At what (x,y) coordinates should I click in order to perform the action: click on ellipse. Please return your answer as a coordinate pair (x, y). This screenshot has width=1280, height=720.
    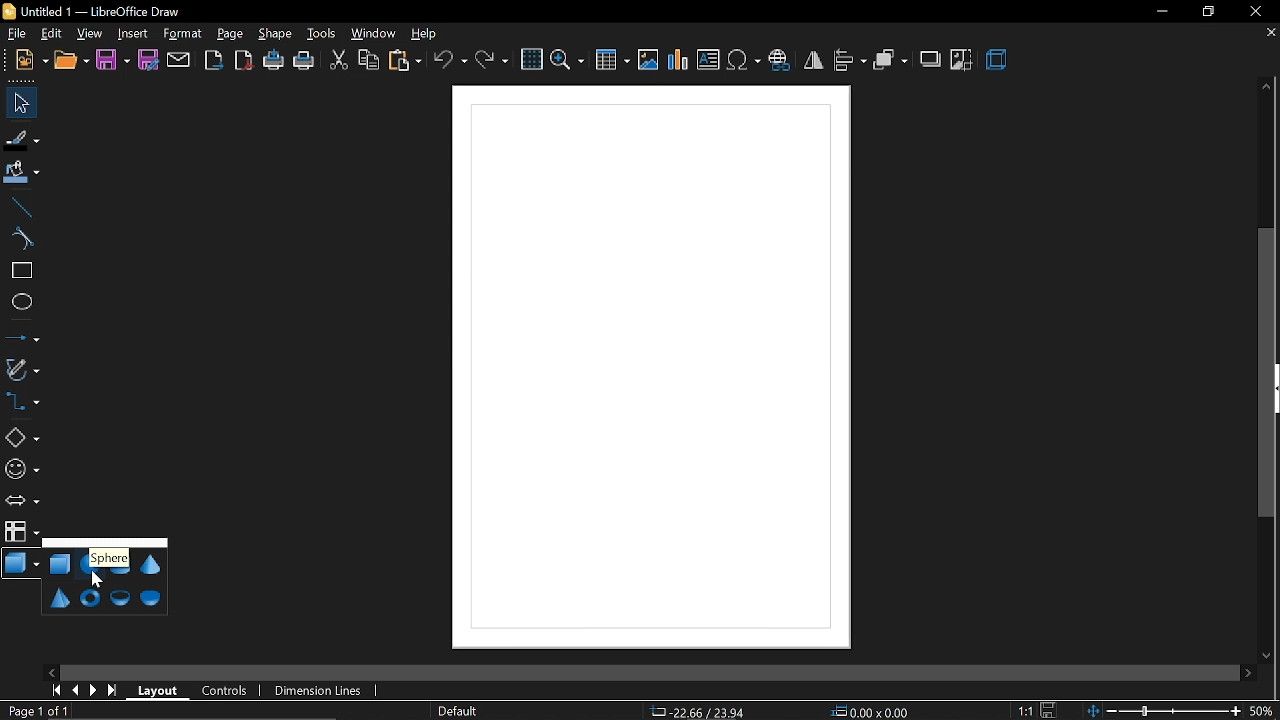
    Looking at the image, I should click on (18, 301).